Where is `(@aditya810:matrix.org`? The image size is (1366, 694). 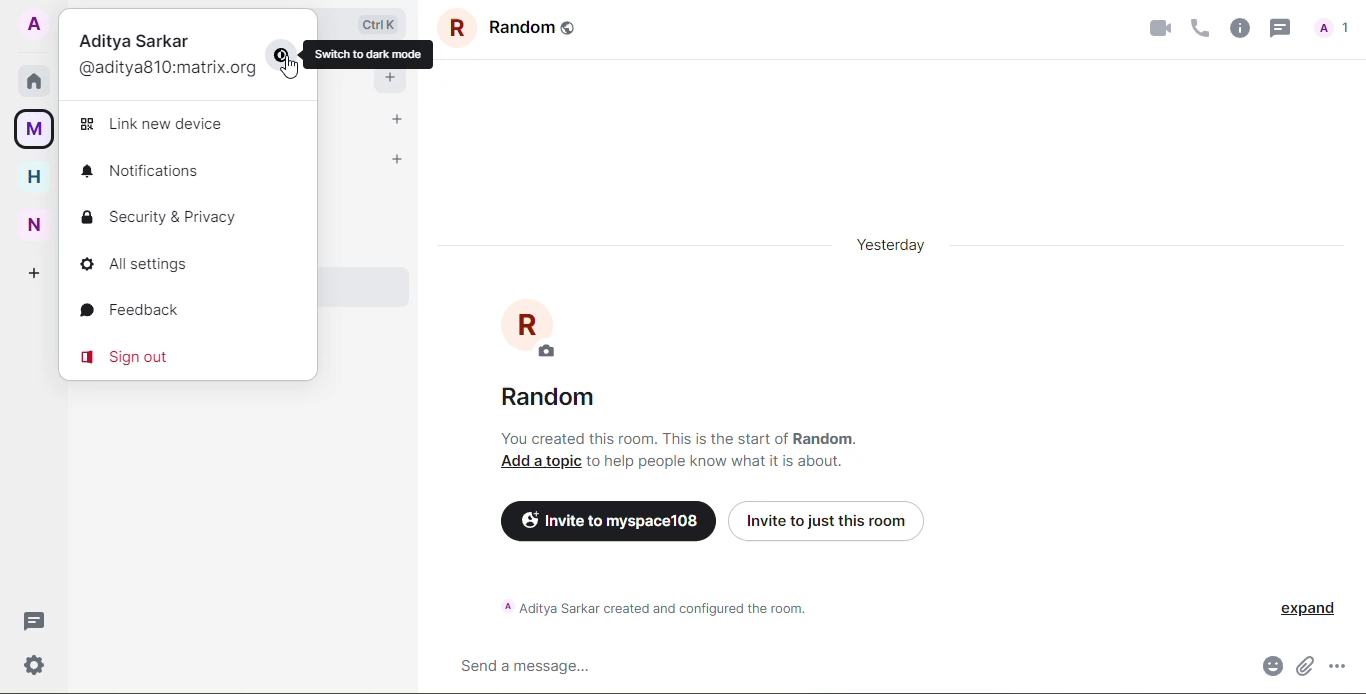
(@aditya810:matrix.org is located at coordinates (160, 70).